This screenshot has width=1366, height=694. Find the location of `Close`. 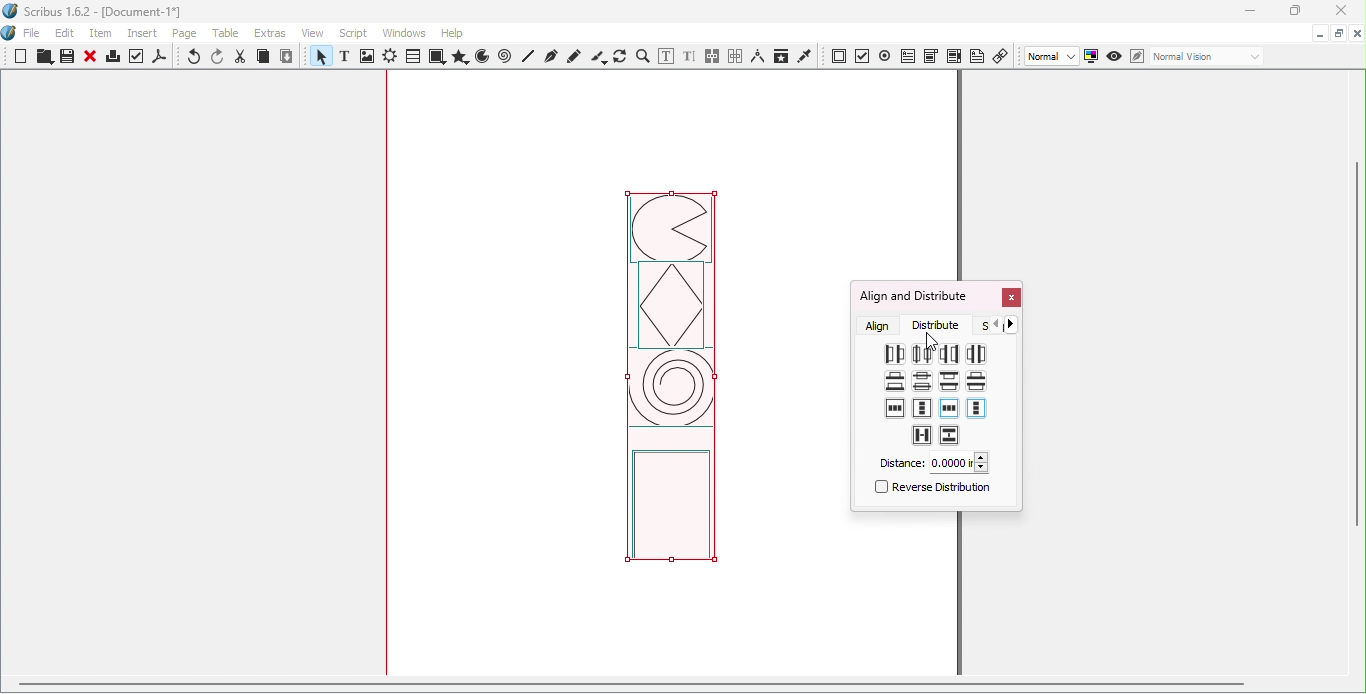

Close is located at coordinates (90, 58).